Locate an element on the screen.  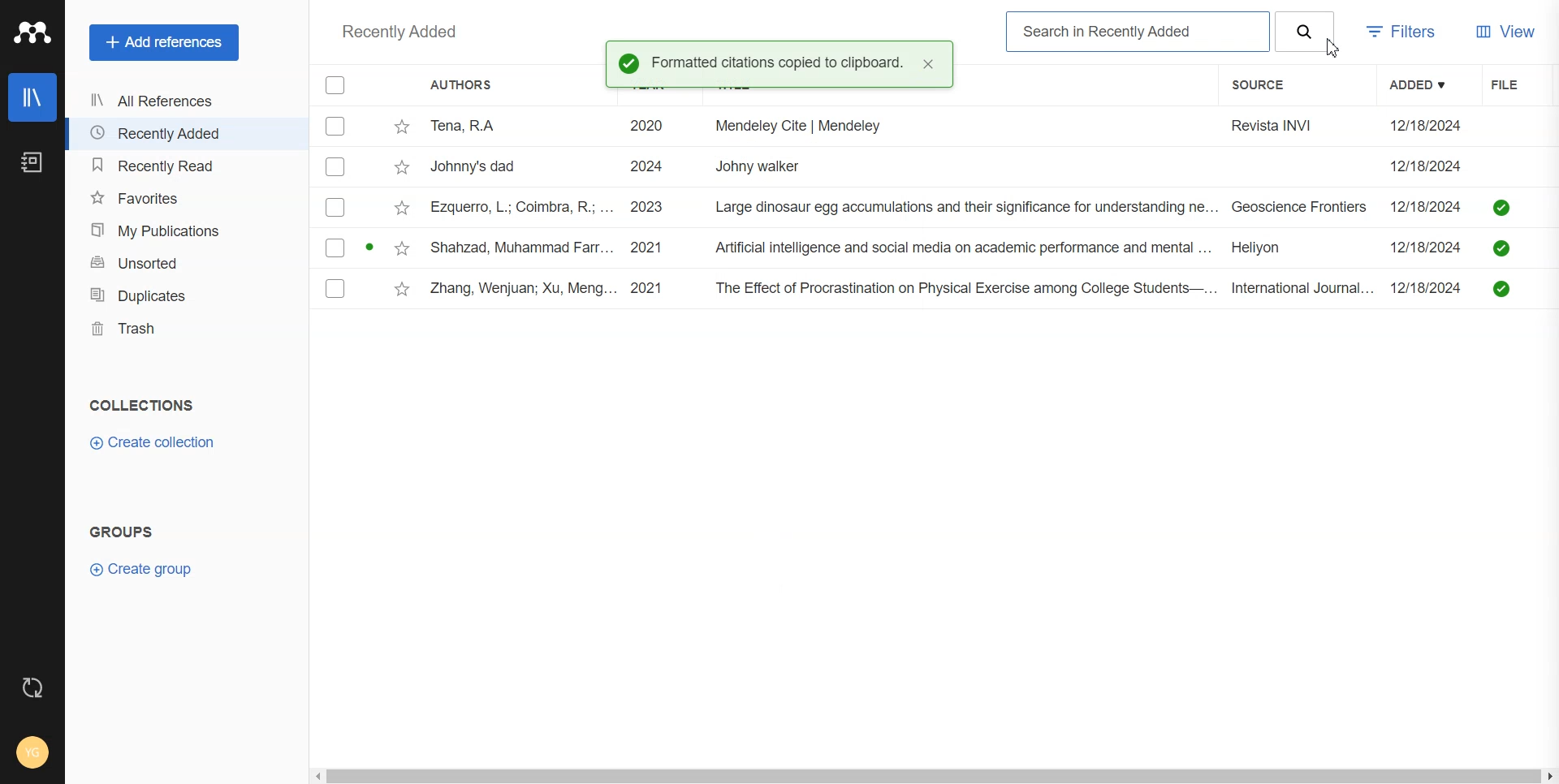
12/18/2024 is located at coordinates (1431, 245).